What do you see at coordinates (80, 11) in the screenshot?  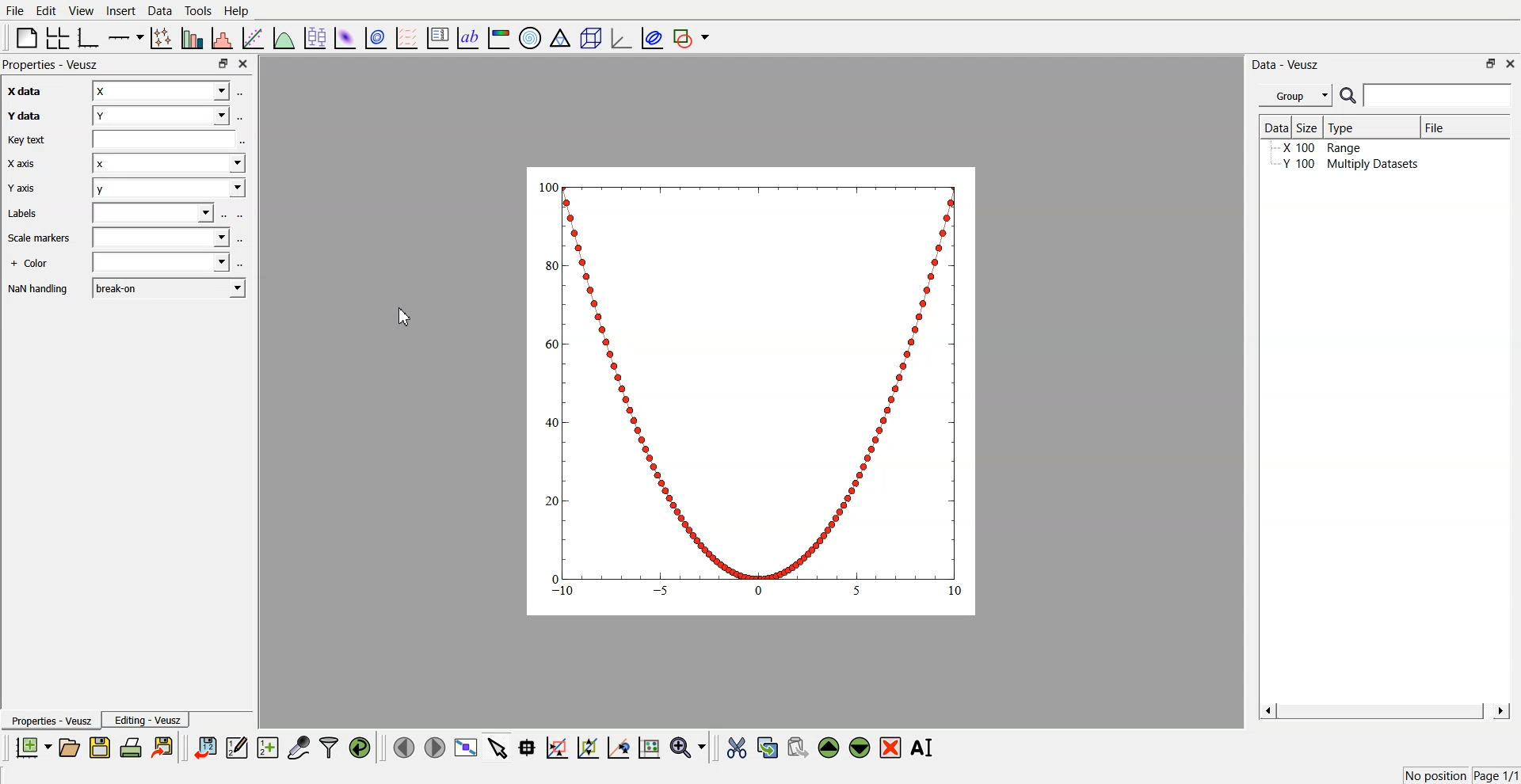 I see `View` at bounding box center [80, 11].